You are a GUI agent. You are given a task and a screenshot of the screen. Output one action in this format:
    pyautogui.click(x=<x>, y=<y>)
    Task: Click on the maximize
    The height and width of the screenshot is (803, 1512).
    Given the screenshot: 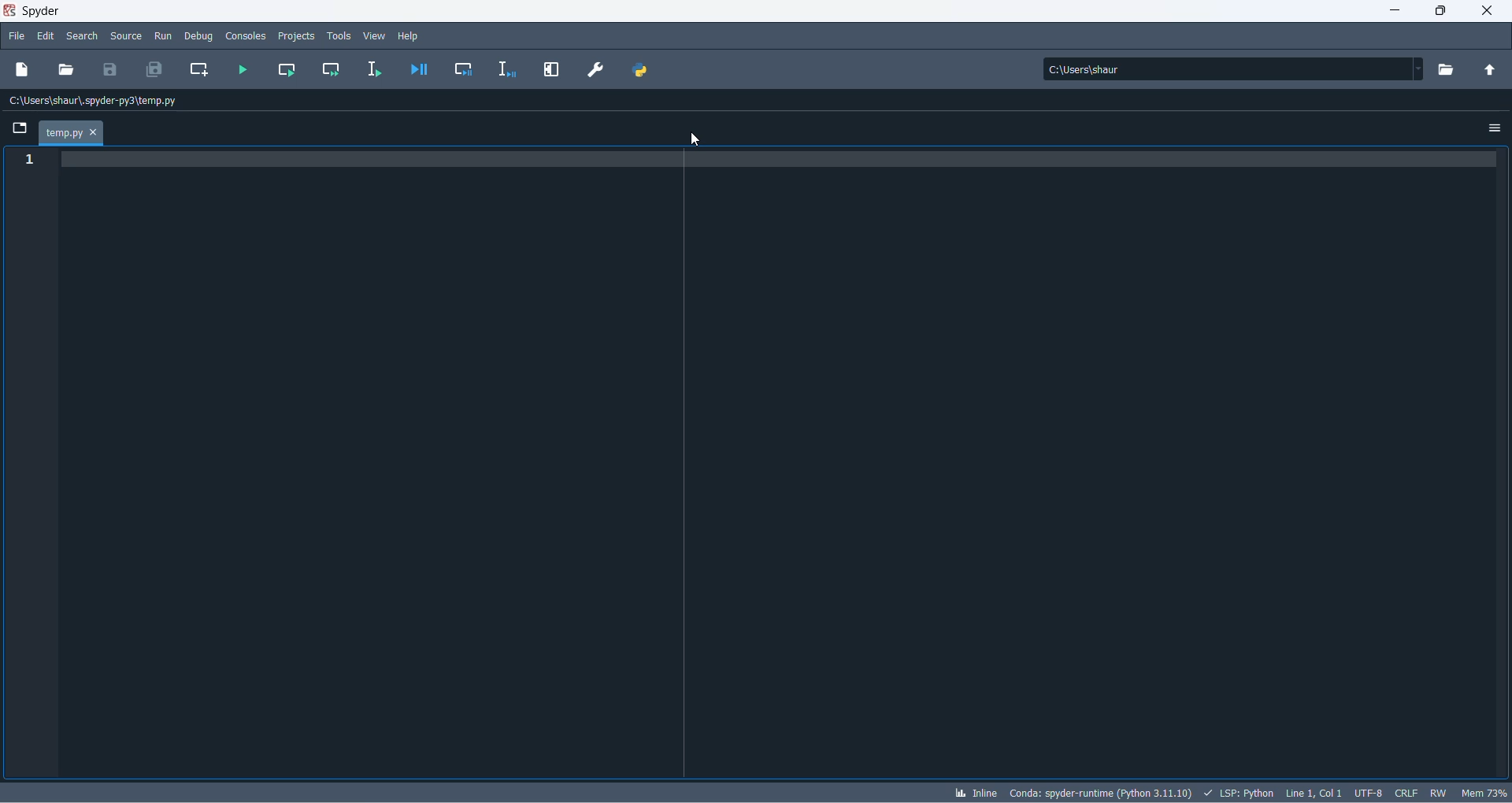 What is the action you would take?
    pyautogui.click(x=1440, y=12)
    